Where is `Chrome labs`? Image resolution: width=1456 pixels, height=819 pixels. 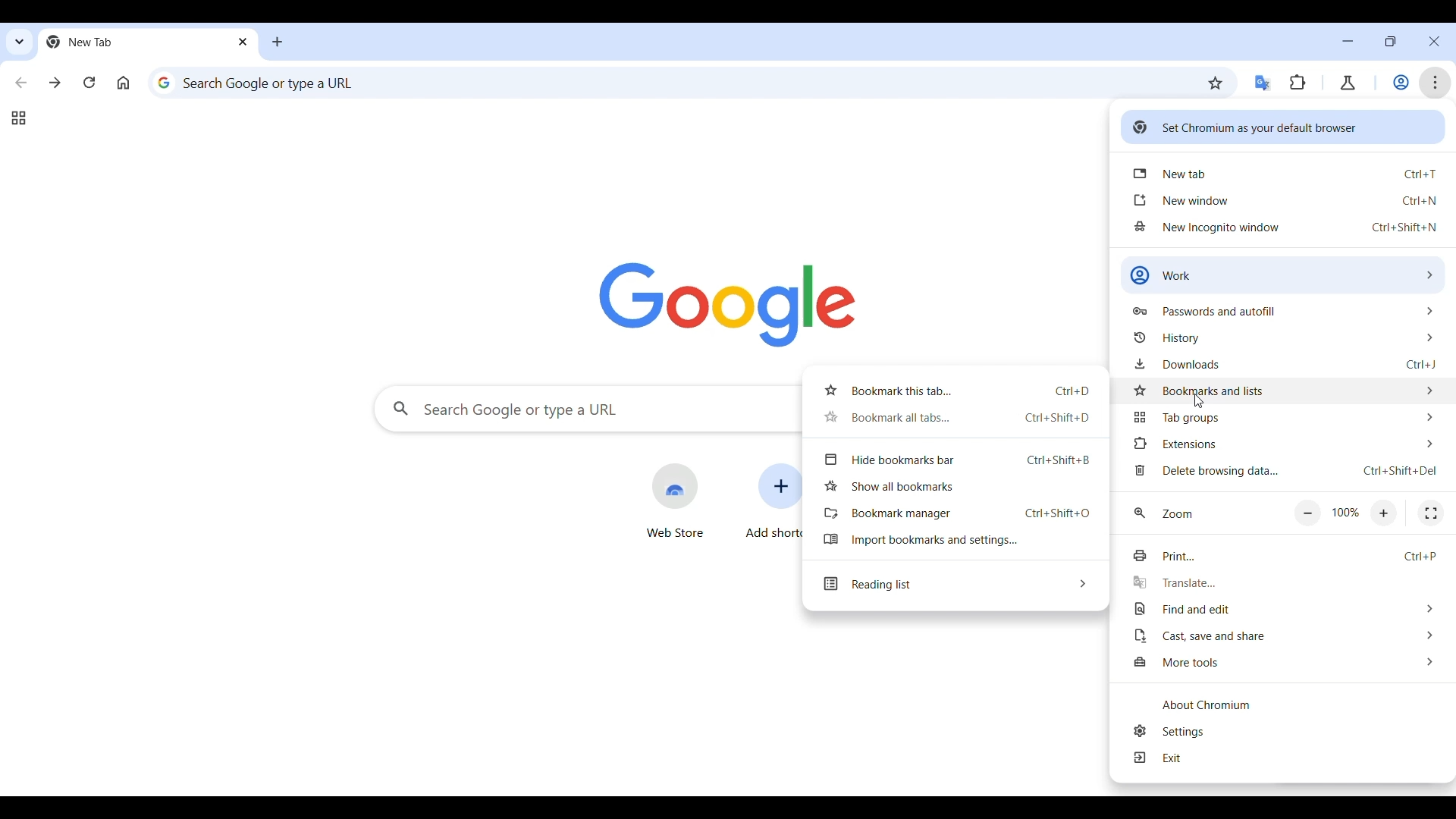 Chrome labs is located at coordinates (1348, 83).